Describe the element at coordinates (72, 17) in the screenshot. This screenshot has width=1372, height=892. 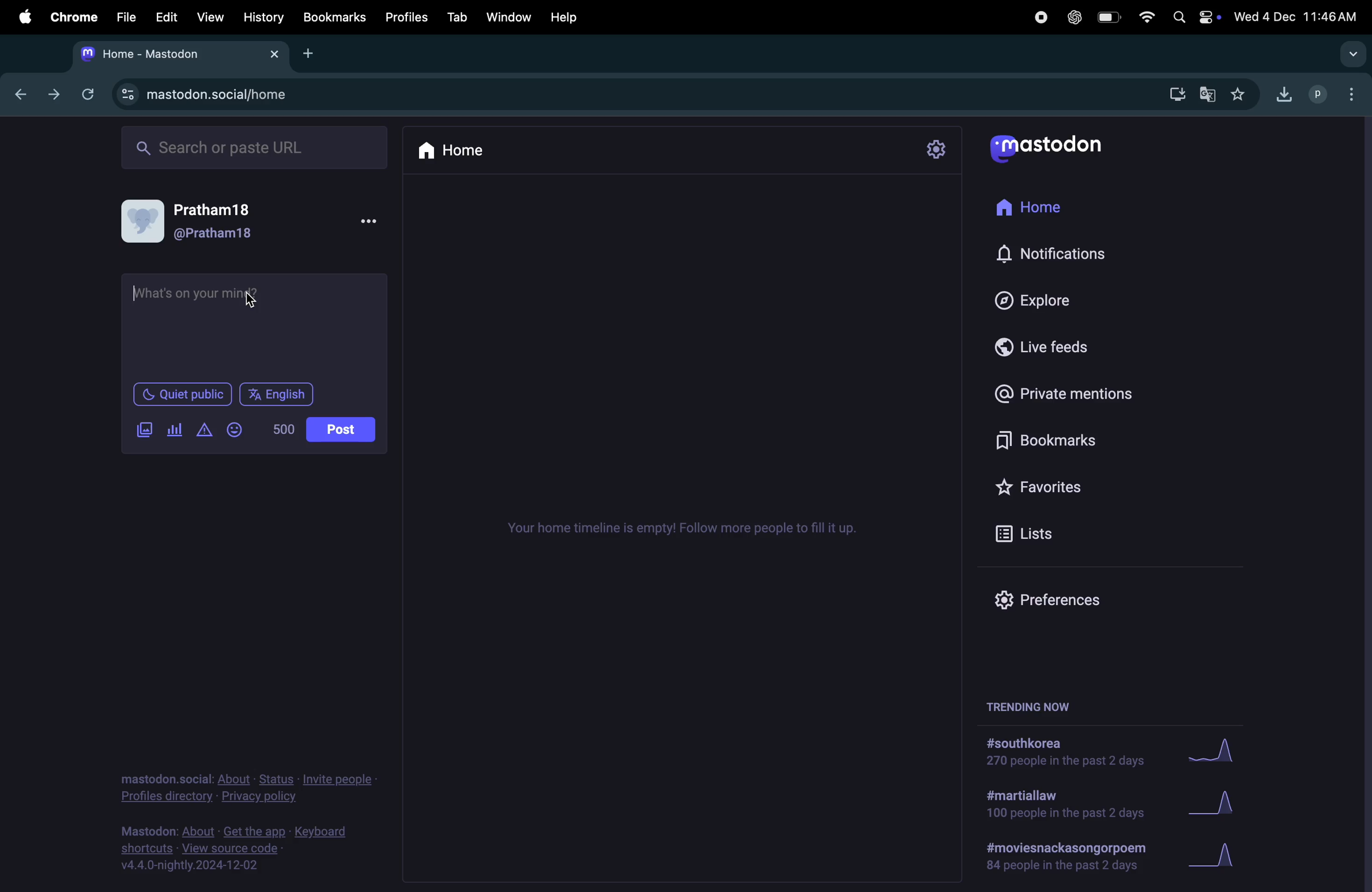
I see `Chrome` at that location.